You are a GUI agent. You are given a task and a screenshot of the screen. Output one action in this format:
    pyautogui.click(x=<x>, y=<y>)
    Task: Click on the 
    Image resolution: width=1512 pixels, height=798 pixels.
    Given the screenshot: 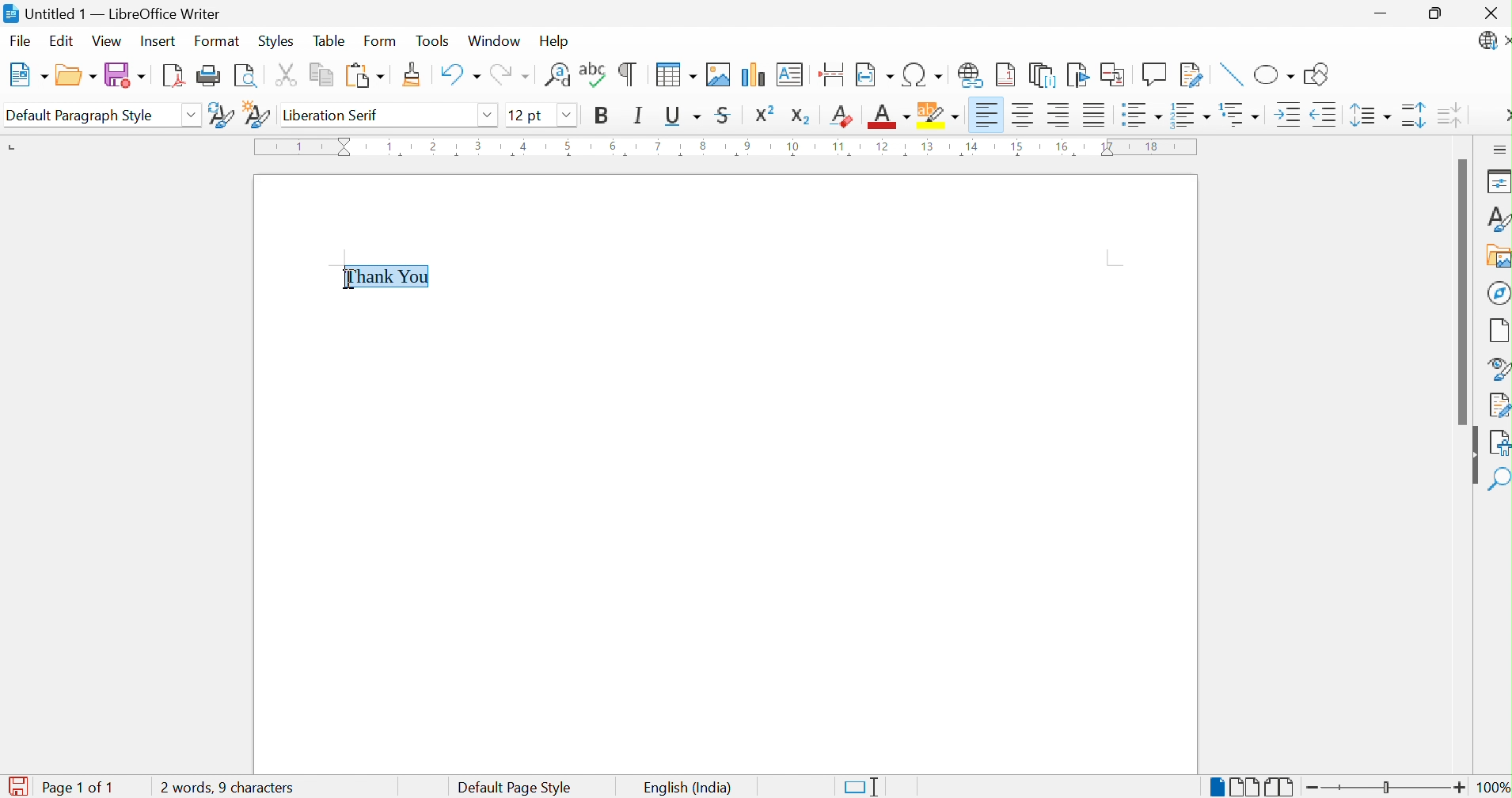 What is the action you would take?
    pyautogui.click(x=508, y=74)
    